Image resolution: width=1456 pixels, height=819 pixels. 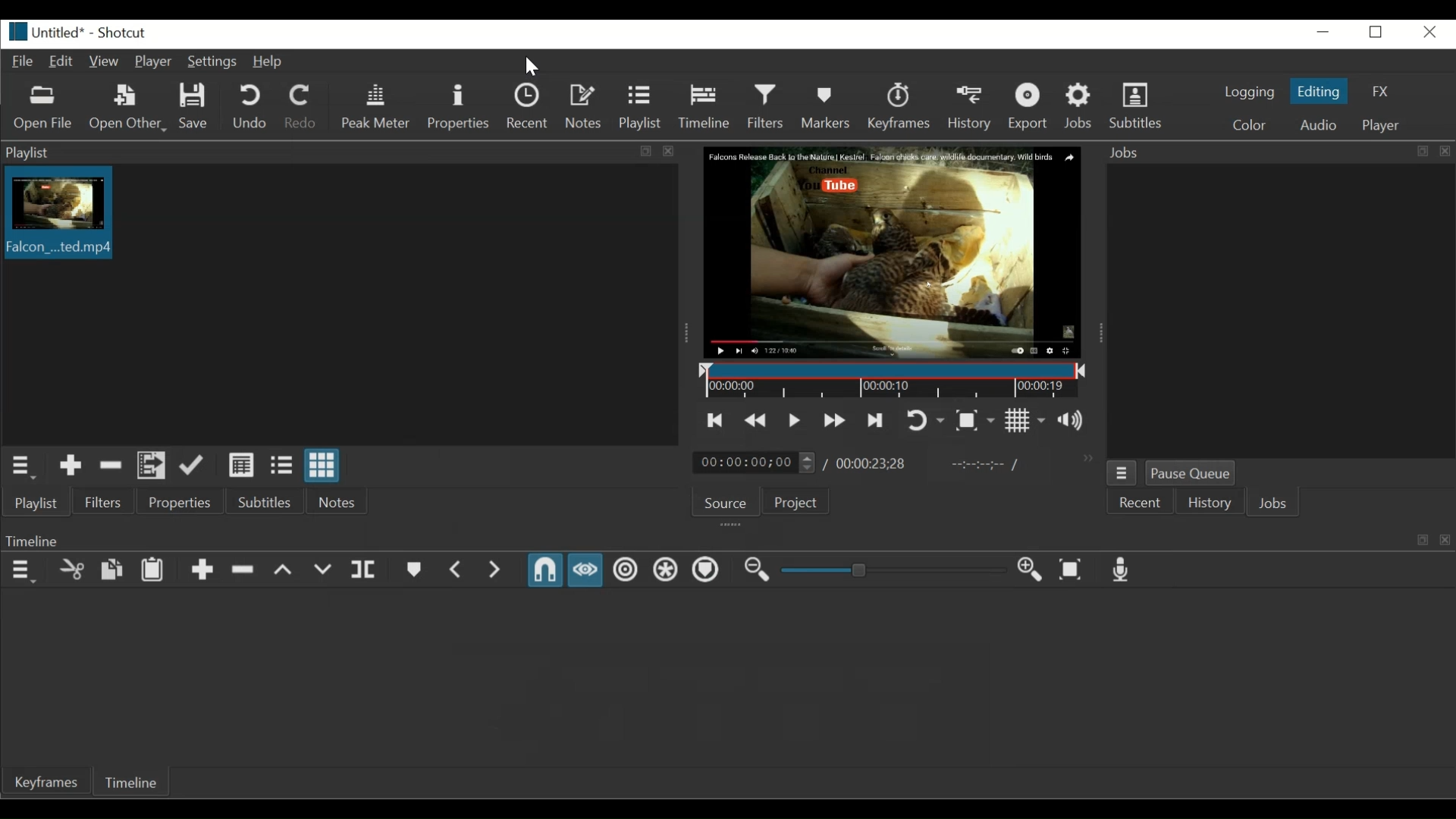 What do you see at coordinates (36, 503) in the screenshot?
I see `Playlist` at bounding box center [36, 503].